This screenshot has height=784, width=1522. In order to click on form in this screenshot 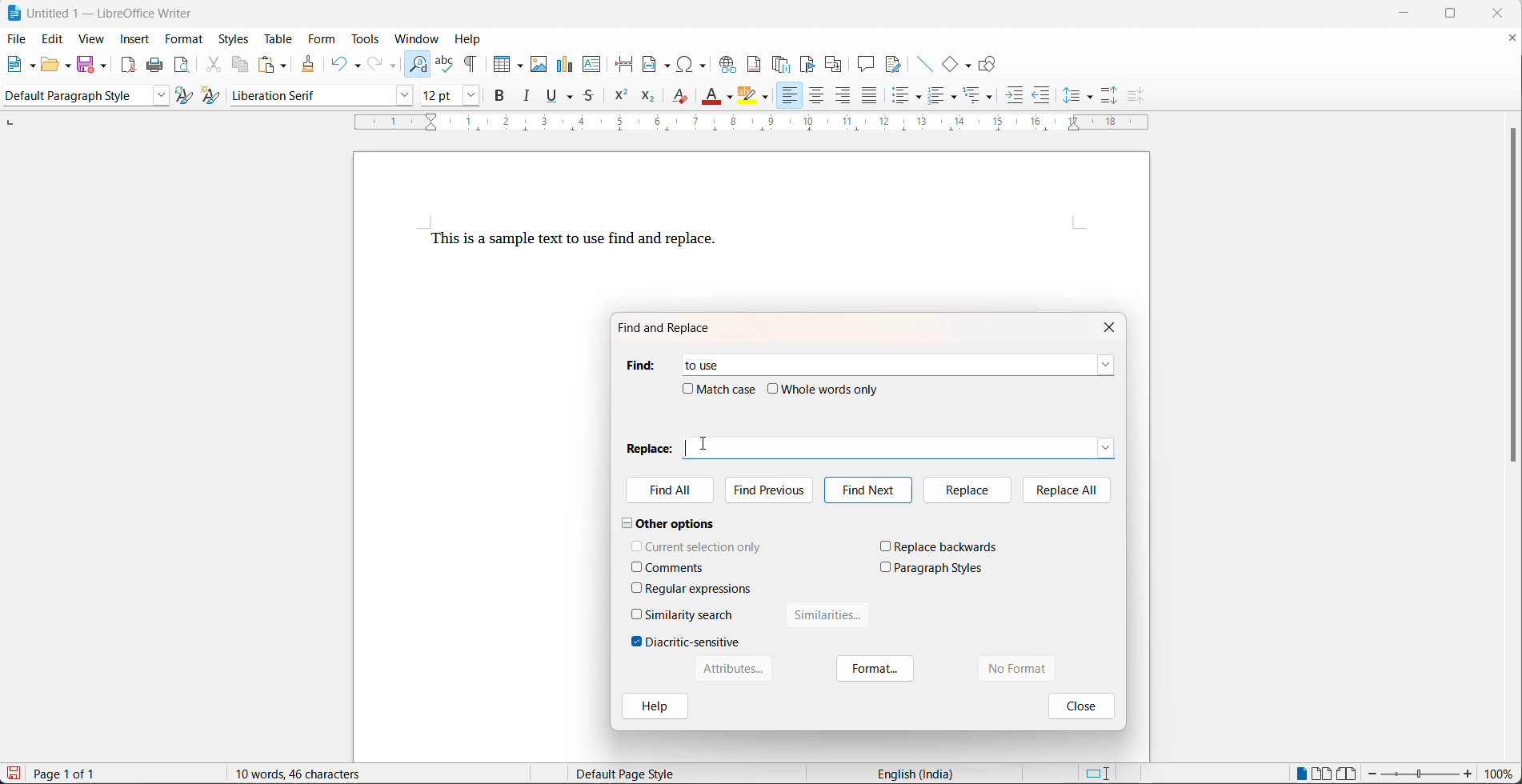, I will do `click(321, 40)`.